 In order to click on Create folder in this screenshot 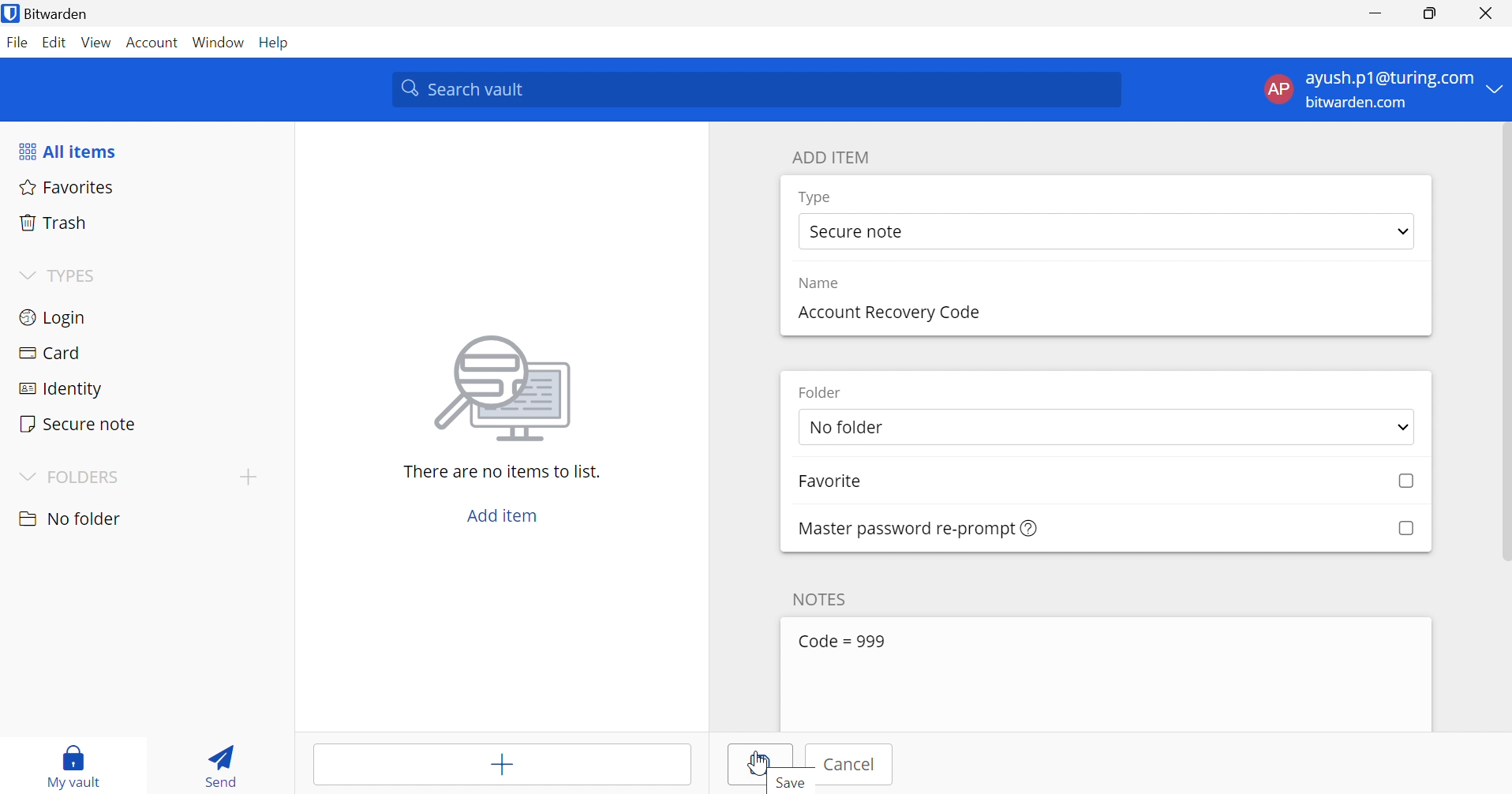, I will do `click(249, 478)`.